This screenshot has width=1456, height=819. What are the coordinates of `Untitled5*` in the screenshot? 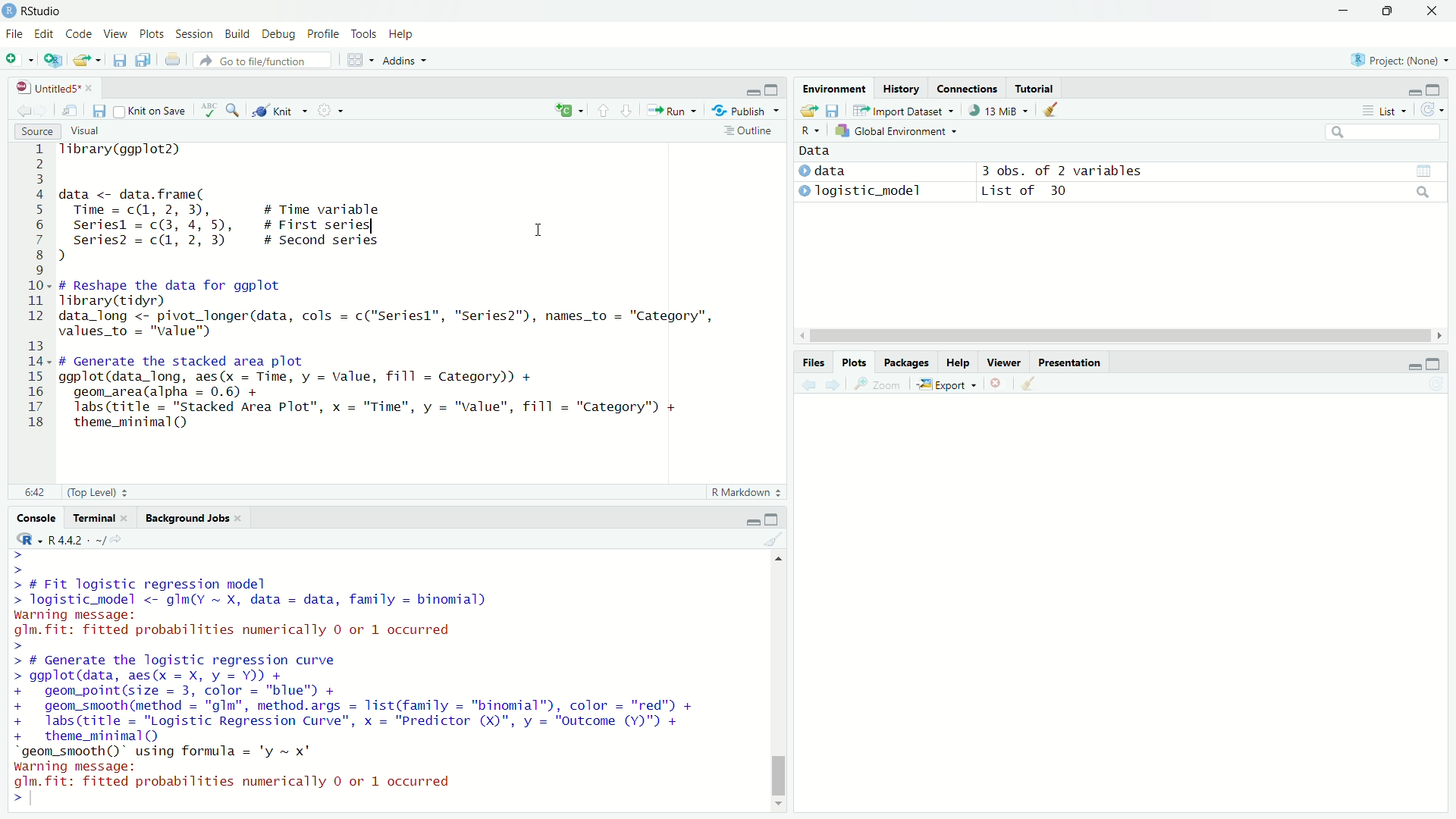 It's located at (44, 86).